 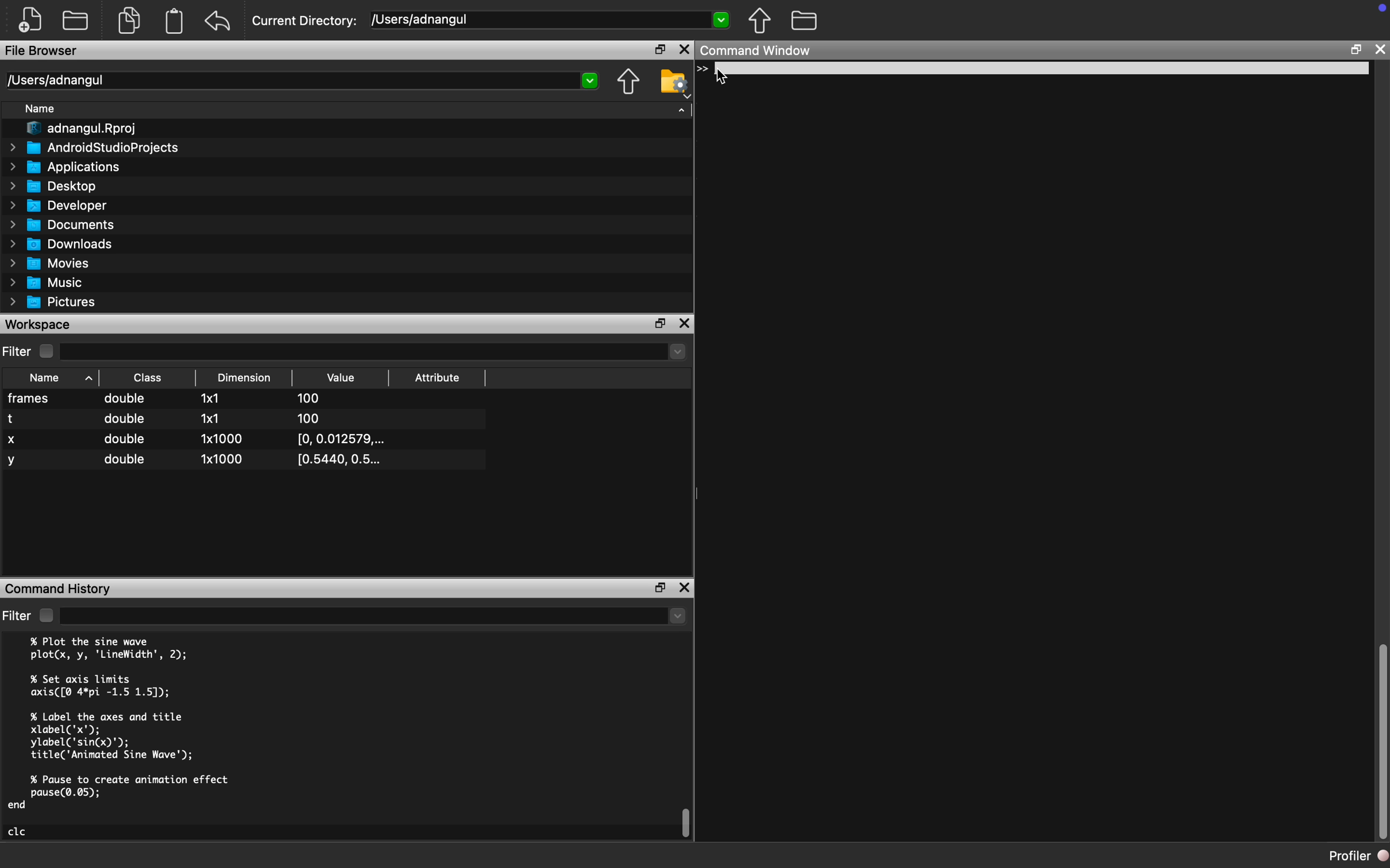 I want to click on Class, so click(x=146, y=379).